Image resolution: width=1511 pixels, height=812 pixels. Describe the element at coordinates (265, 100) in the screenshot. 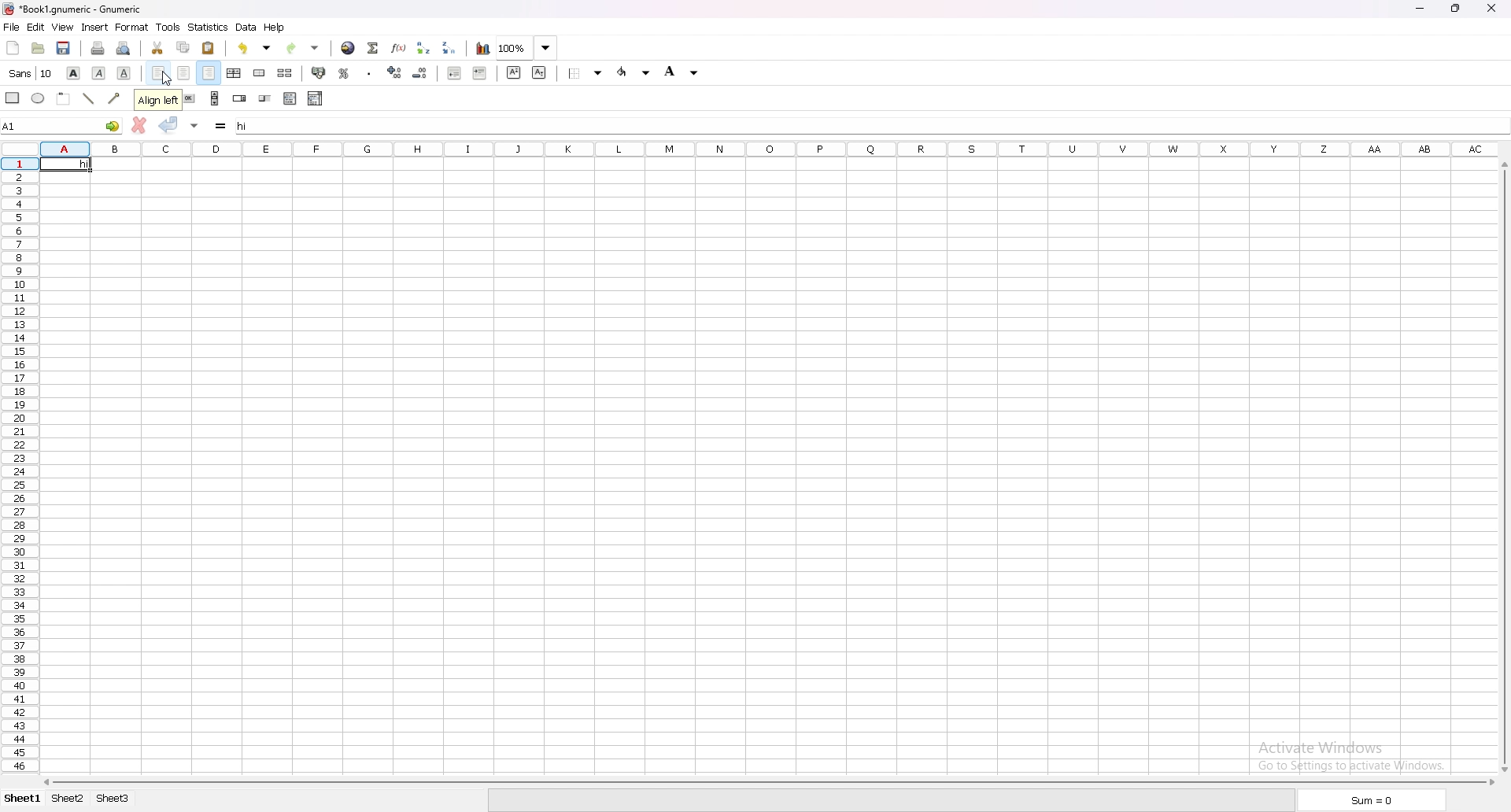

I see `slider` at that location.